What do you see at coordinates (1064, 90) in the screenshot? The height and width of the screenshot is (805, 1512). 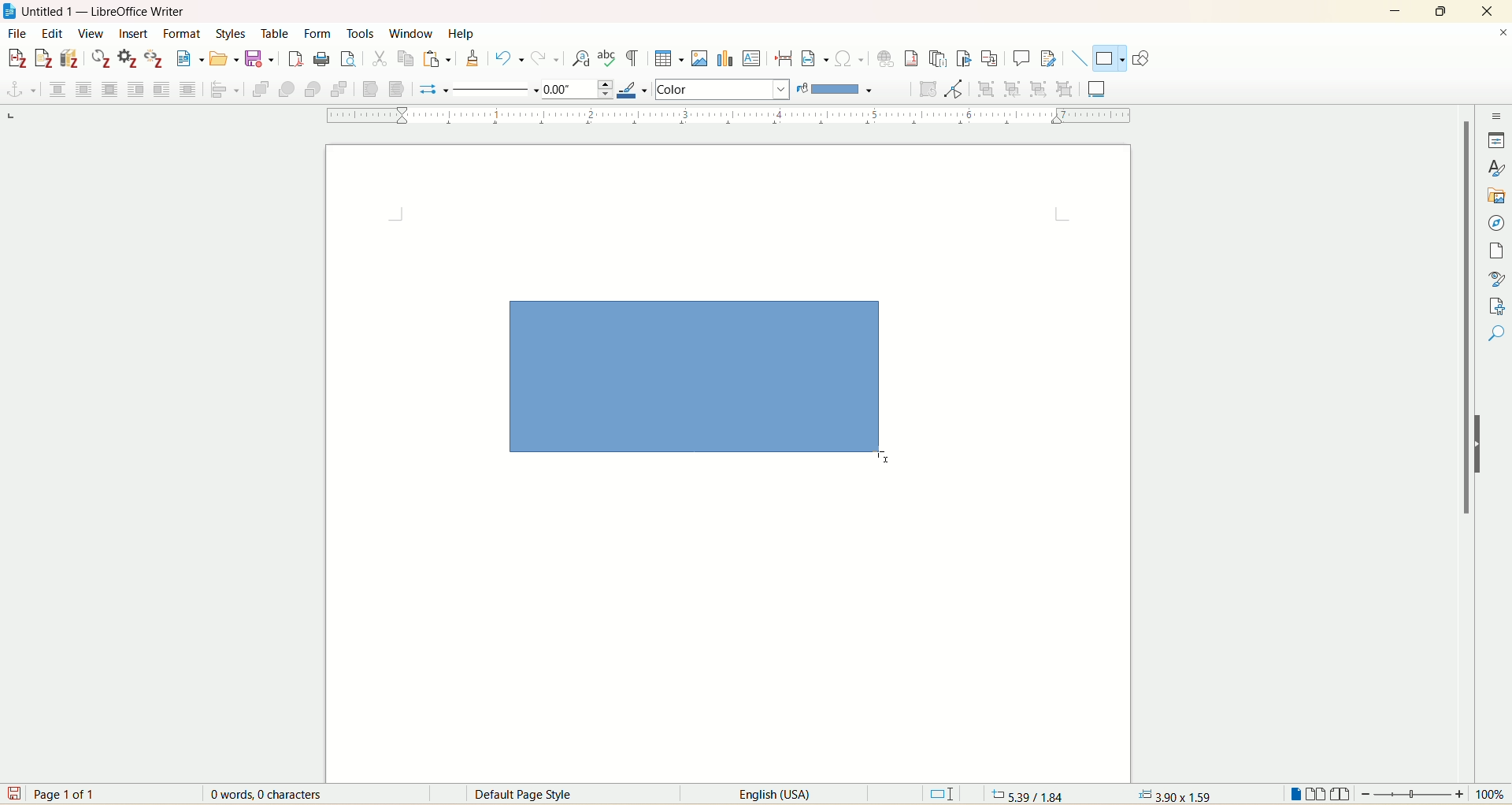 I see `ungroup` at bounding box center [1064, 90].